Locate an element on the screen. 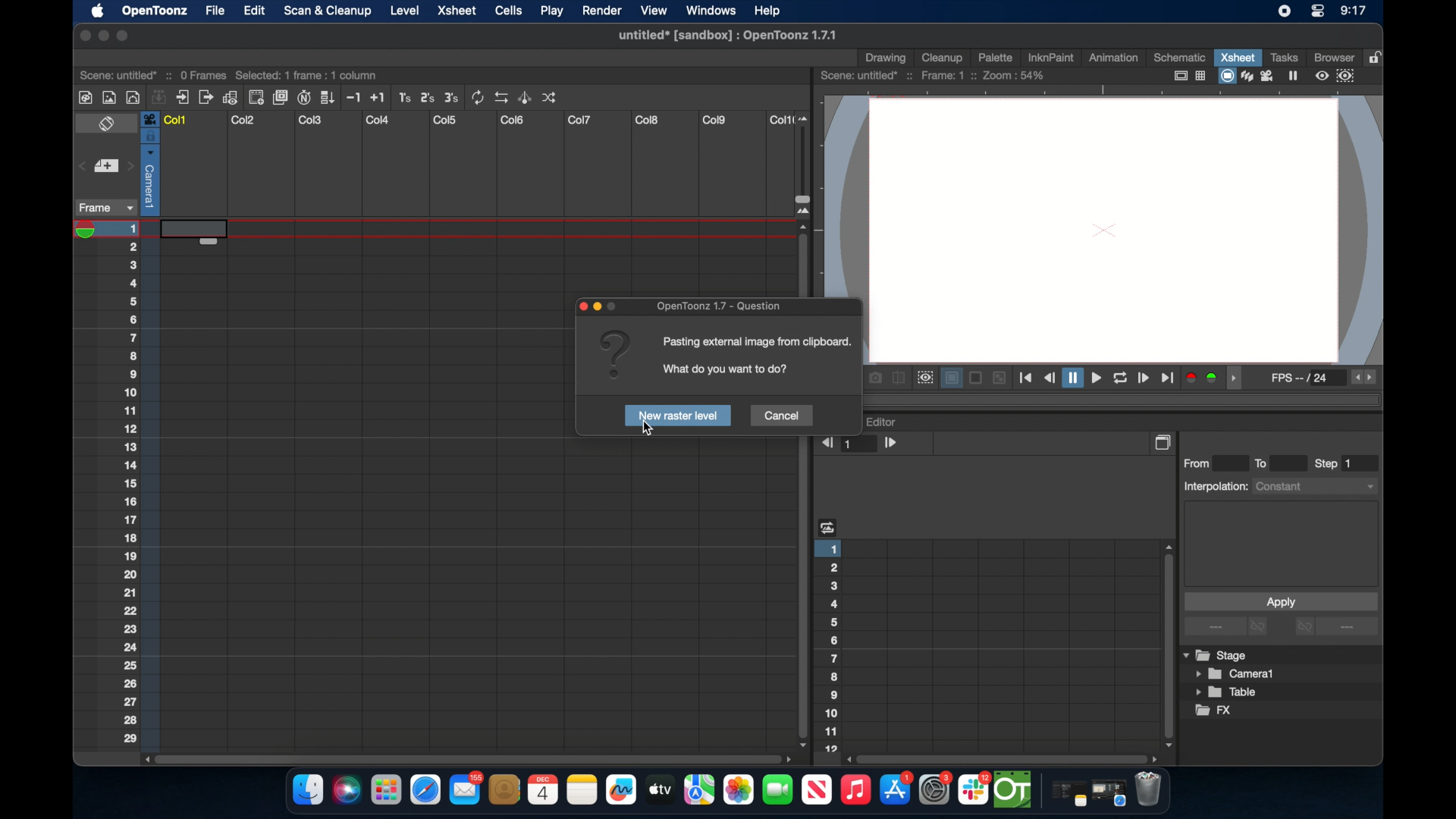 This screenshot has height=819, width=1456. browser is located at coordinates (1332, 56).